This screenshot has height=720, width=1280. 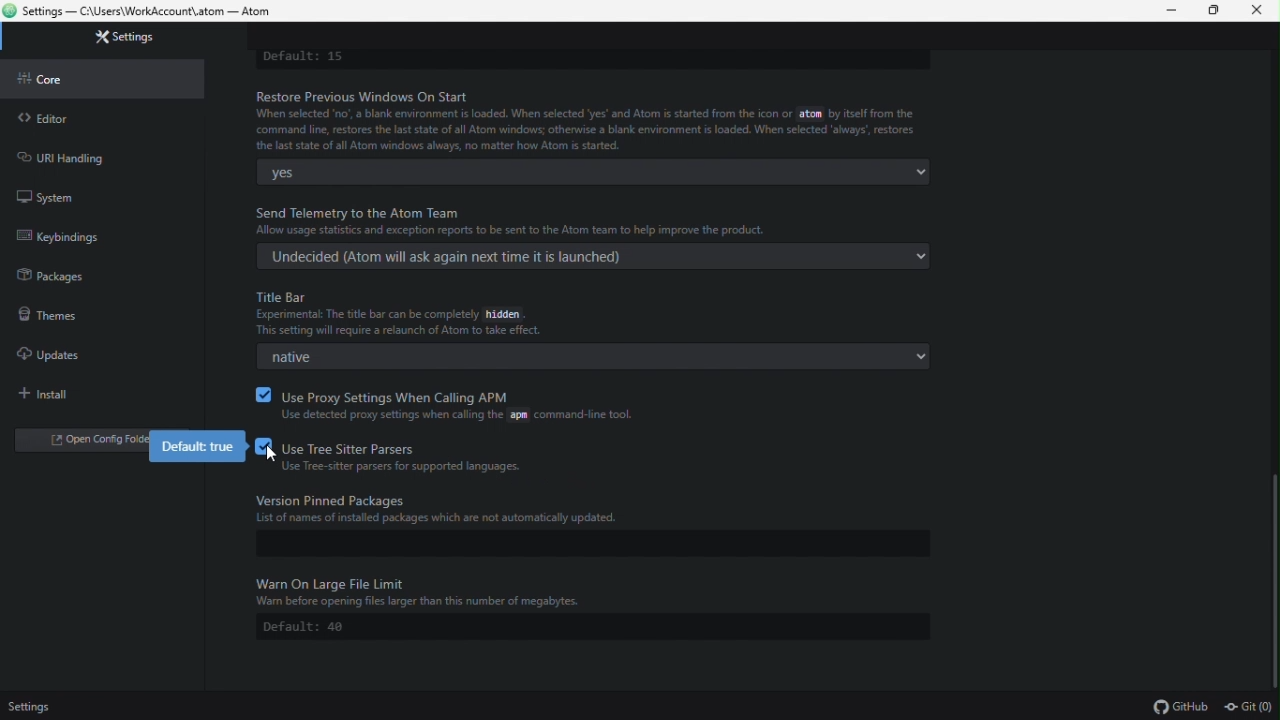 What do you see at coordinates (55, 79) in the screenshot?
I see `core` at bounding box center [55, 79].